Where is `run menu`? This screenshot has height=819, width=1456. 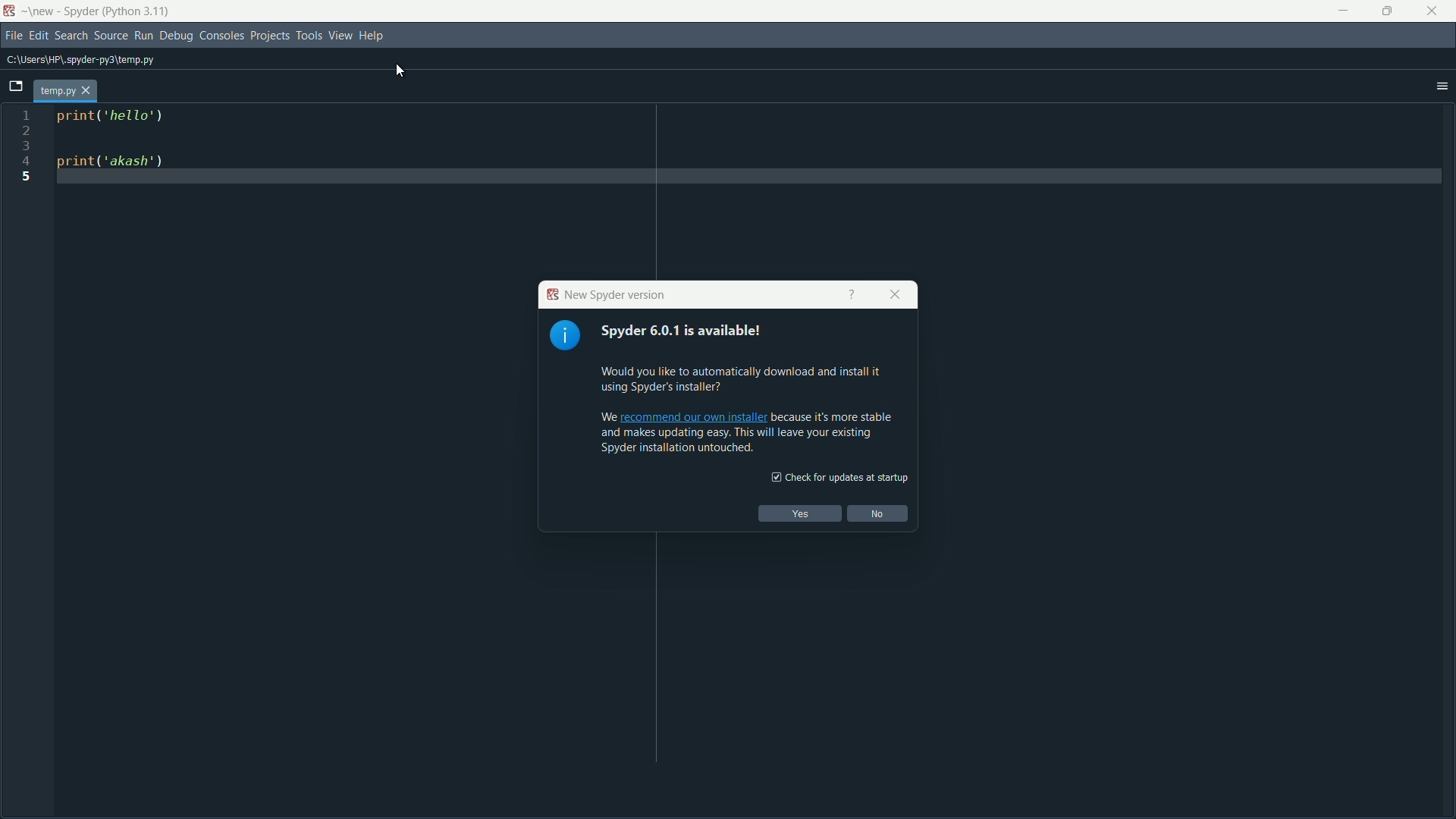 run menu is located at coordinates (143, 36).